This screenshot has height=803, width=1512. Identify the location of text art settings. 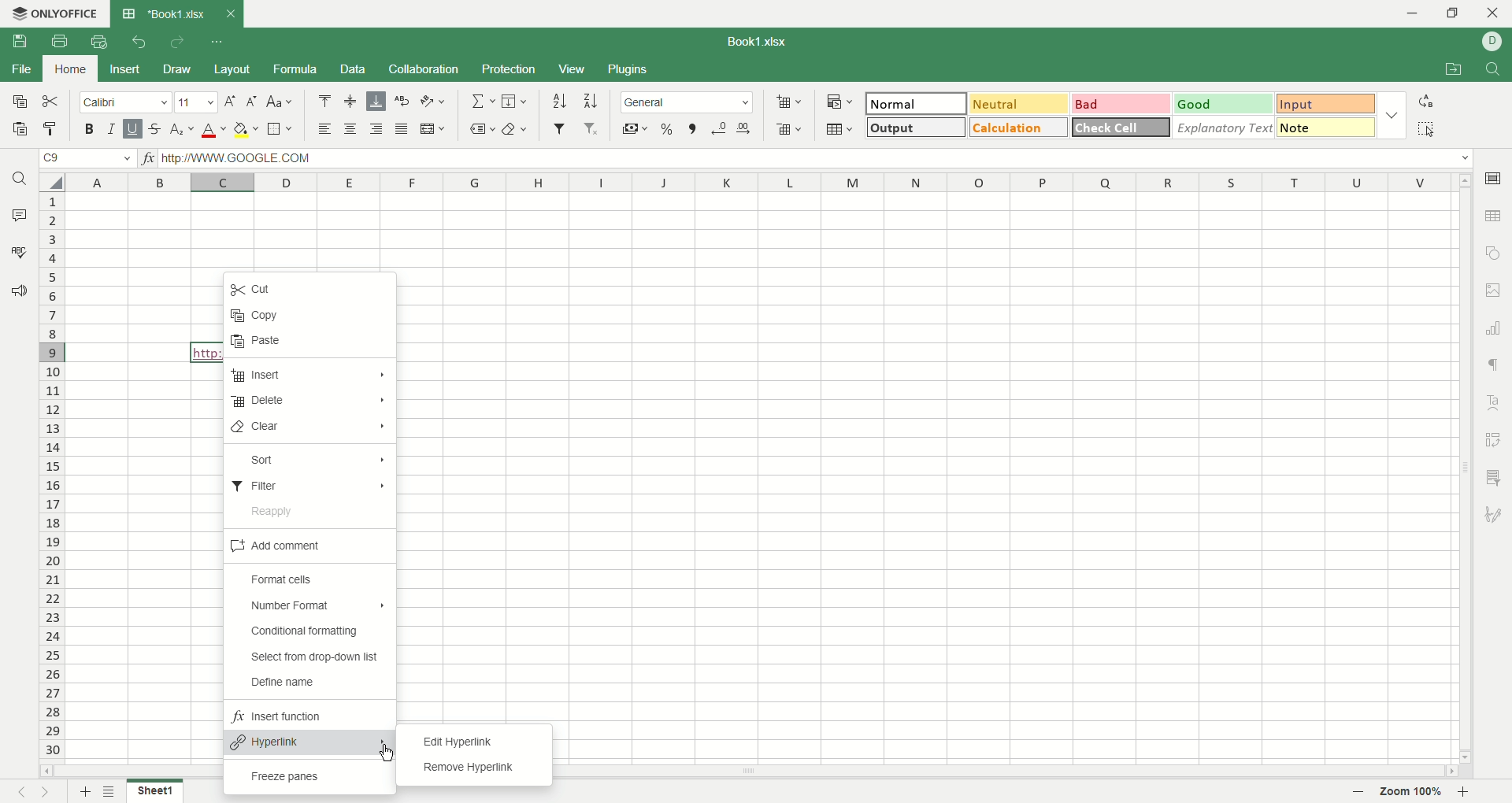
(1493, 398).